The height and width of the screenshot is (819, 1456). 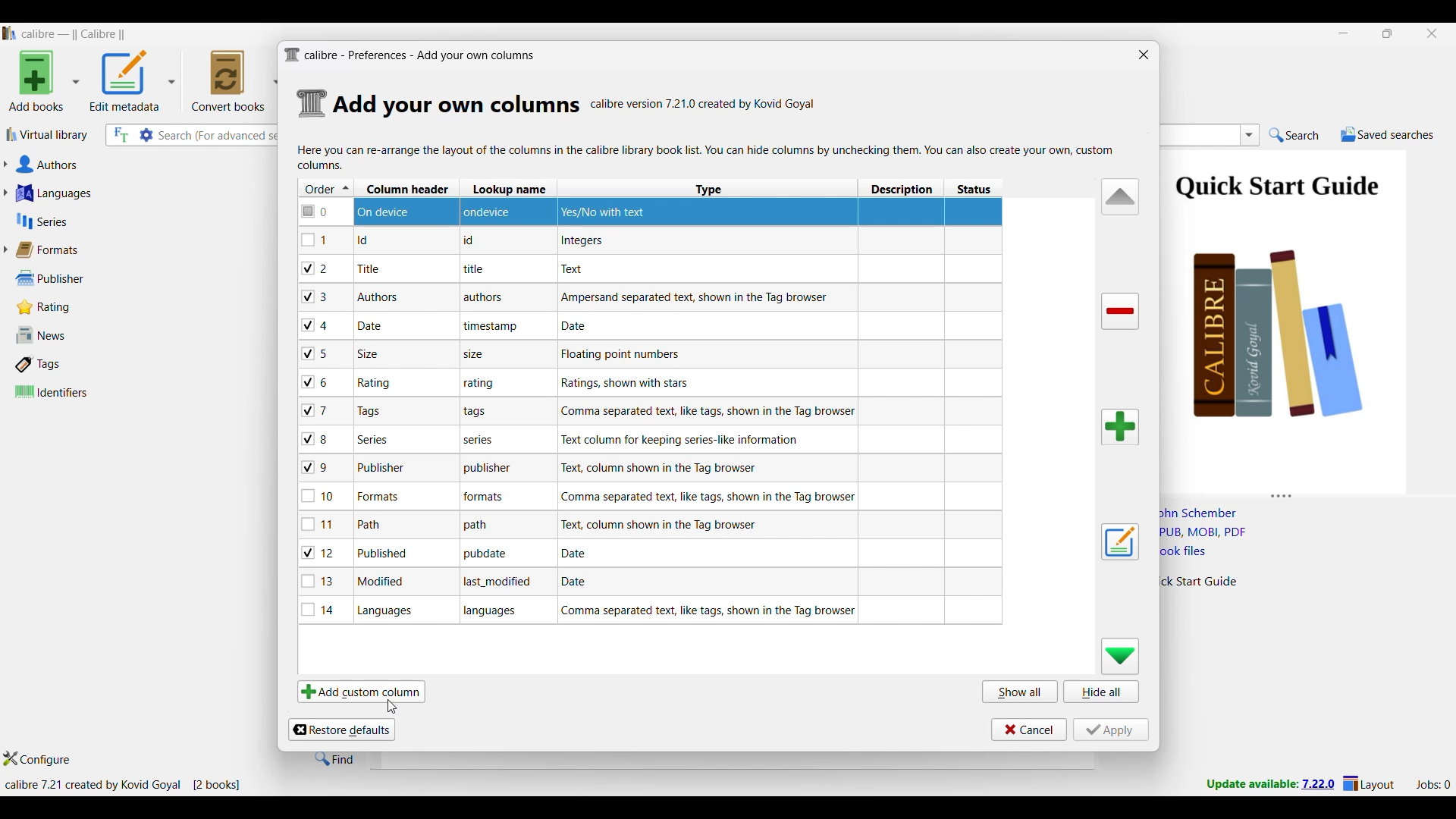 What do you see at coordinates (410, 55) in the screenshot?
I see `Title and logo of current window` at bounding box center [410, 55].